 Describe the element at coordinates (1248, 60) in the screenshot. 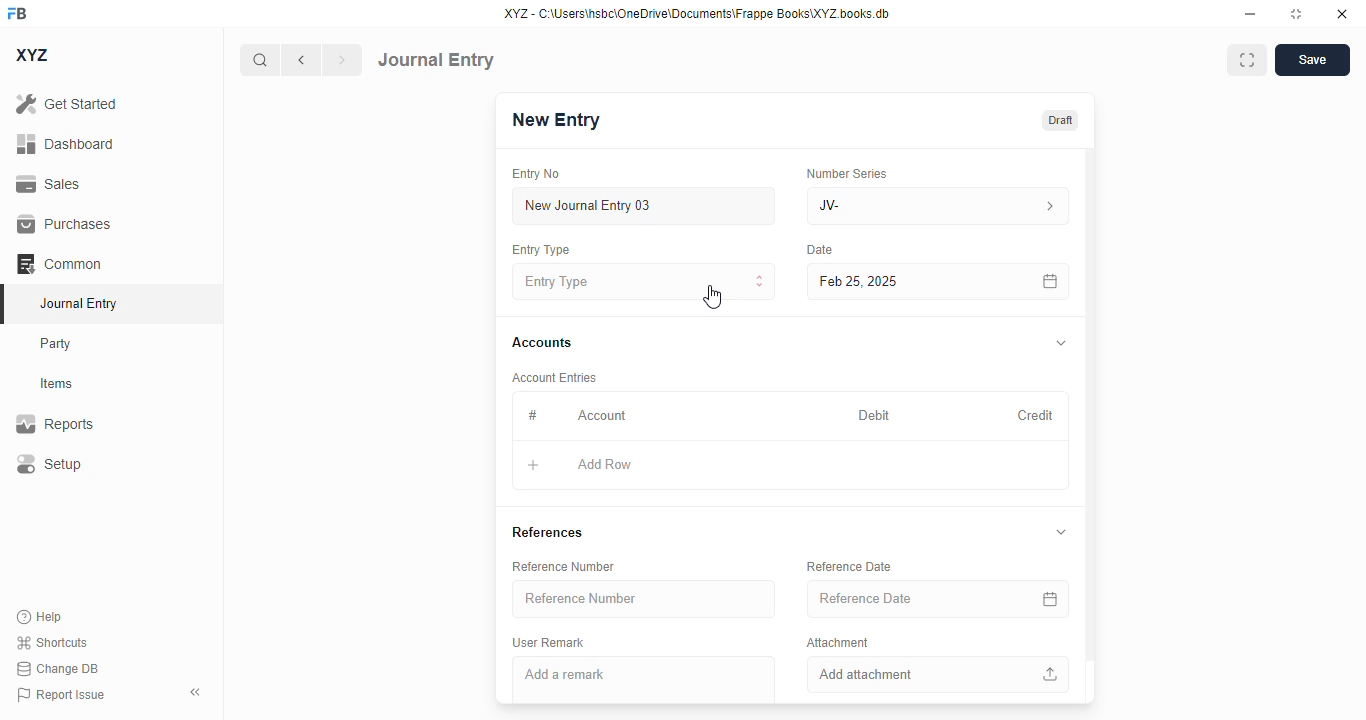

I see `toggle between form and full width` at that location.